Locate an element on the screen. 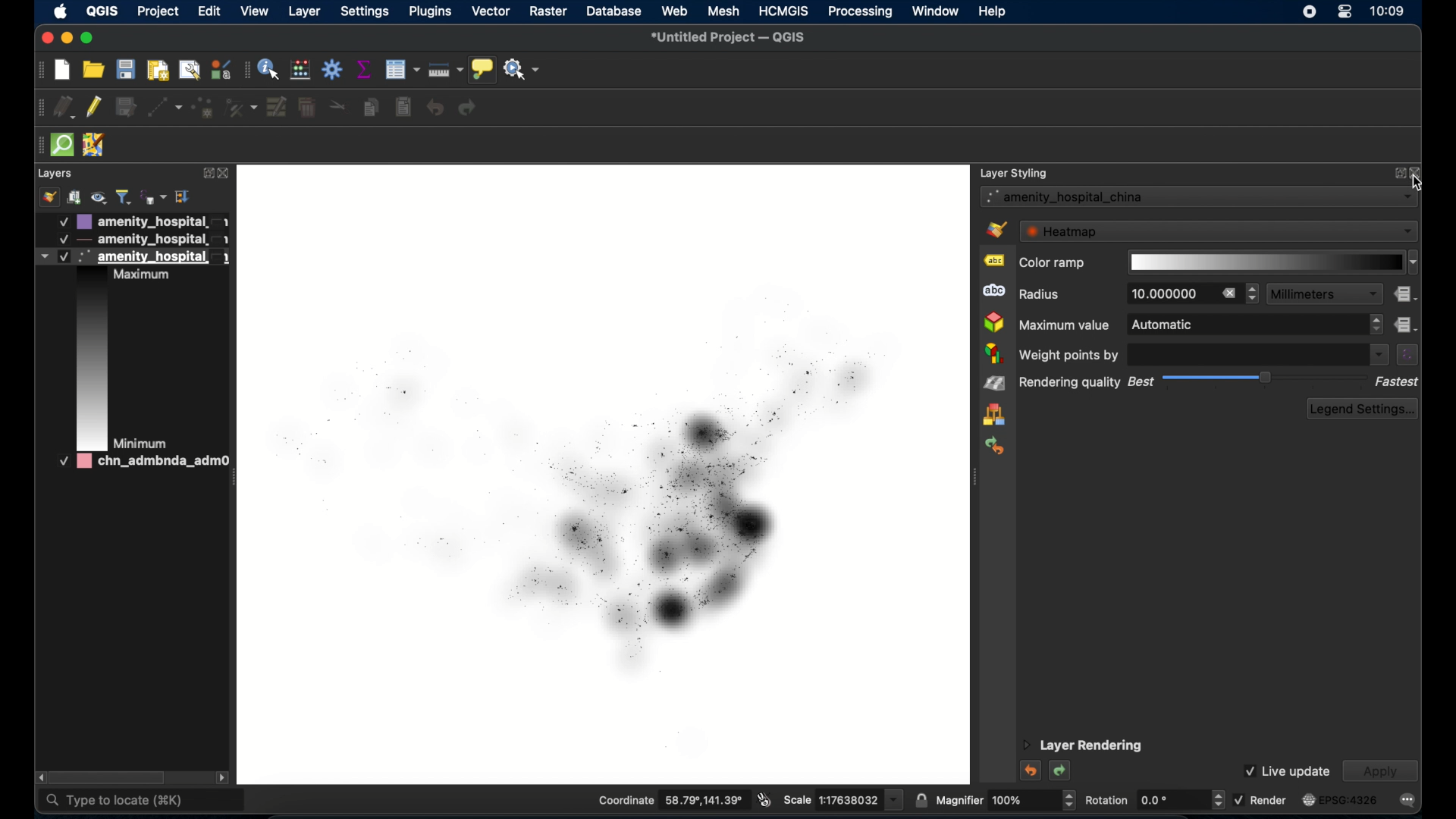 This screenshot has height=819, width=1456. database is located at coordinates (614, 11).